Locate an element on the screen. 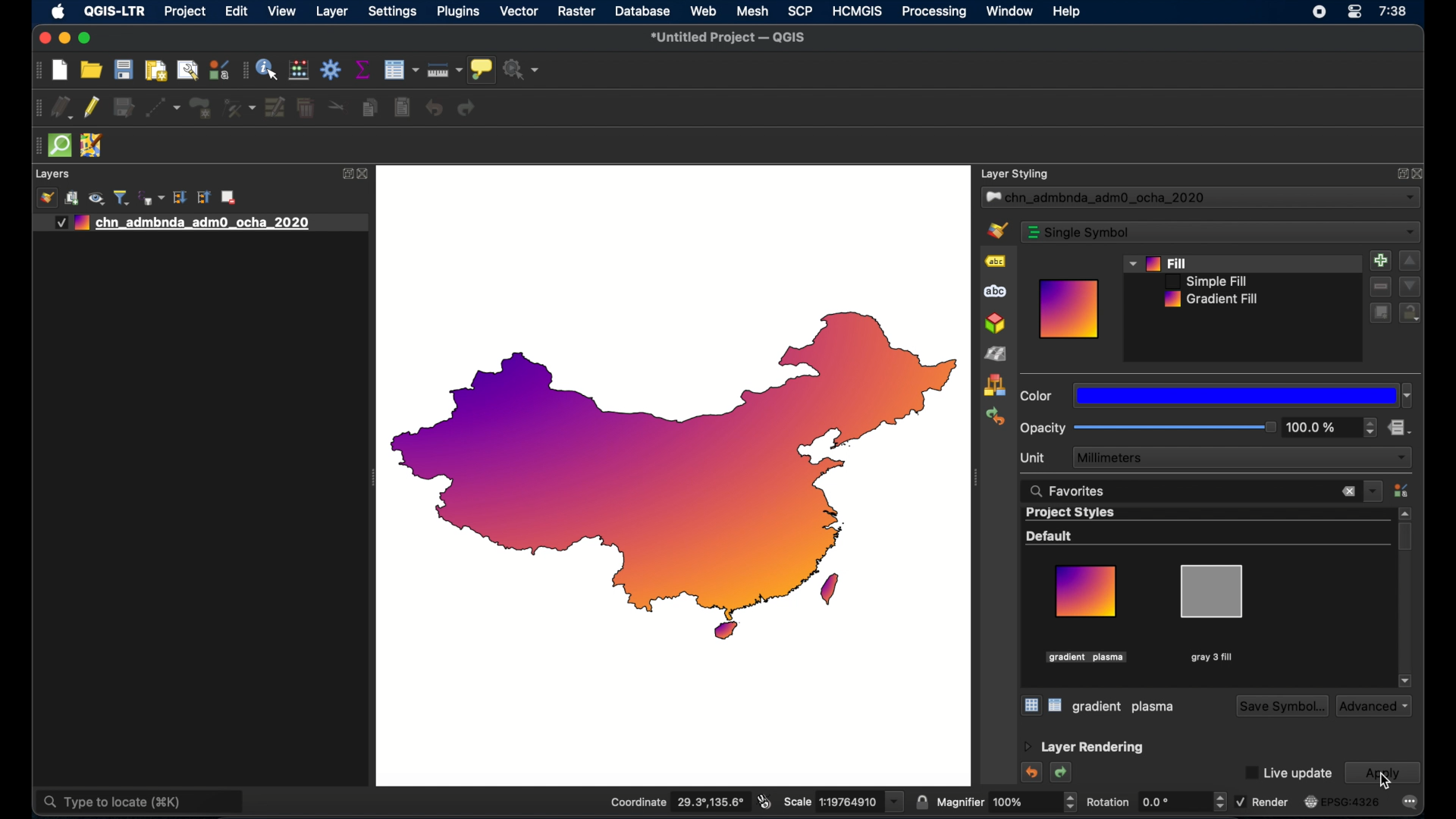 Image resolution: width=1456 pixels, height=819 pixels. new is located at coordinates (61, 71).